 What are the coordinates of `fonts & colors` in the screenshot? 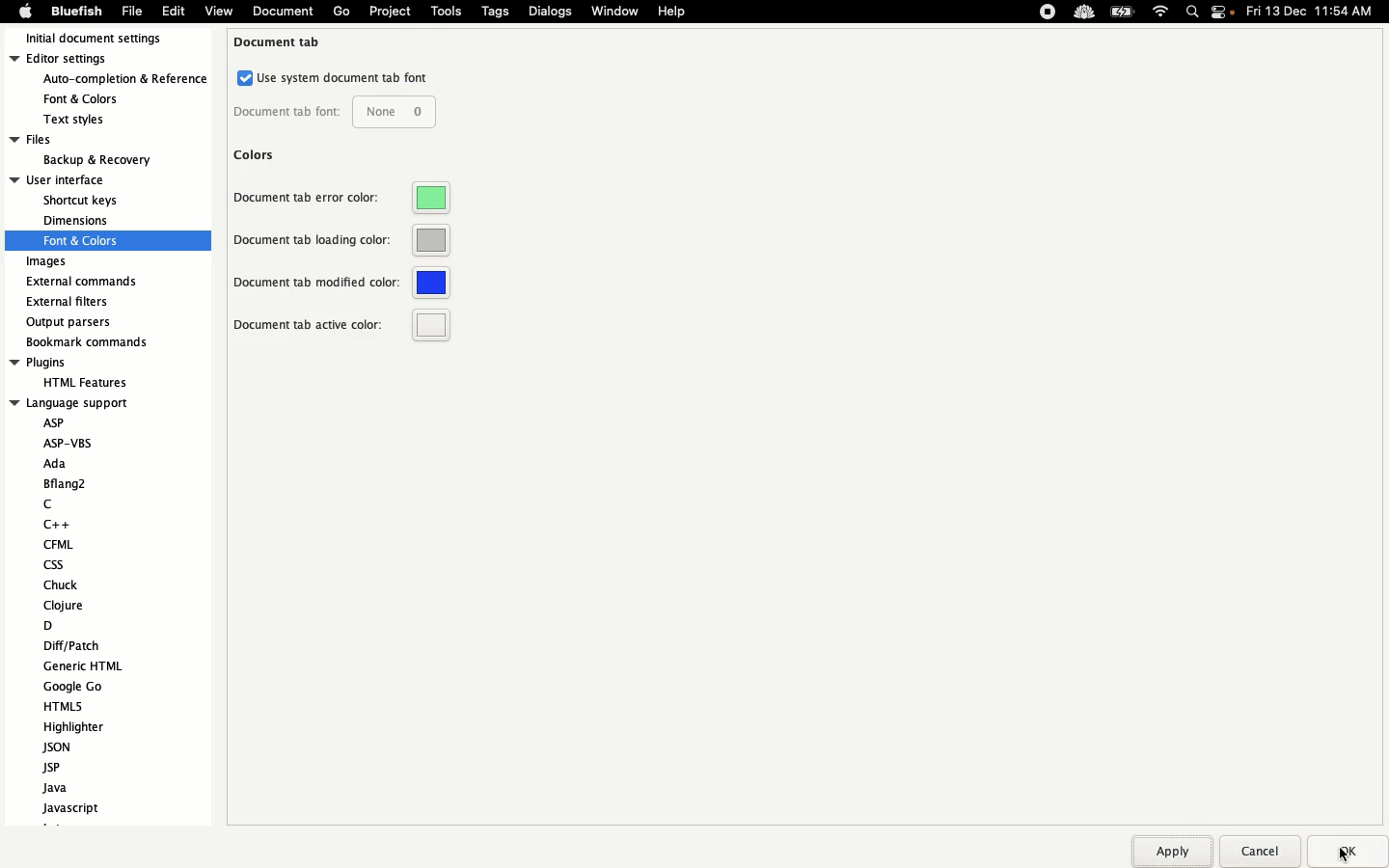 It's located at (95, 97).